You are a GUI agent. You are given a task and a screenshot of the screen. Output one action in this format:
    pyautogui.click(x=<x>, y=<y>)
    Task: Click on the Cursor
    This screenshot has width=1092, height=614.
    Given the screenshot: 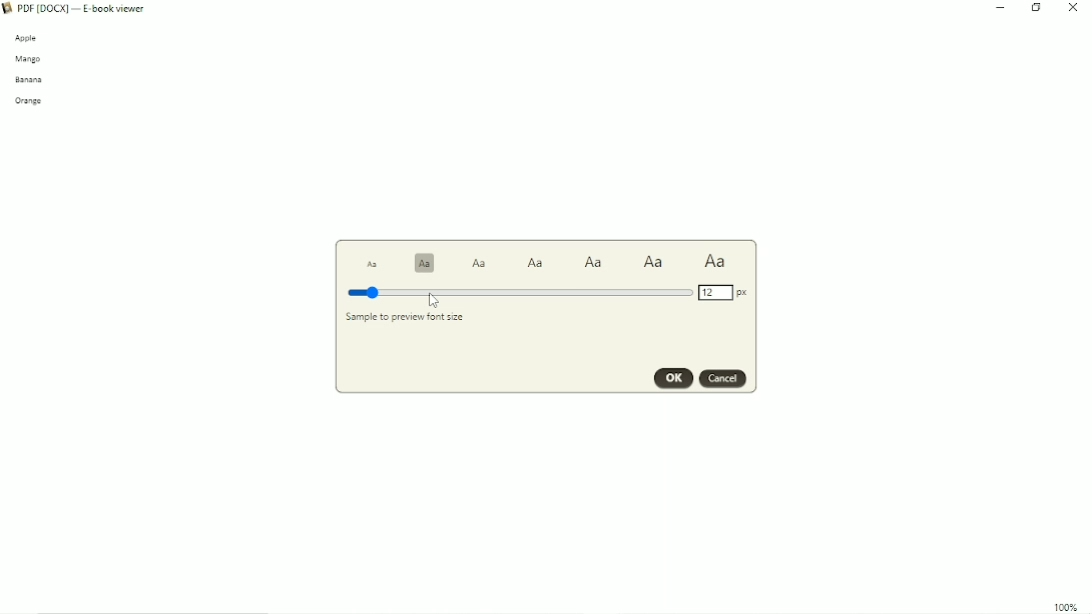 What is the action you would take?
    pyautogui.click(x=433, y=301)
    